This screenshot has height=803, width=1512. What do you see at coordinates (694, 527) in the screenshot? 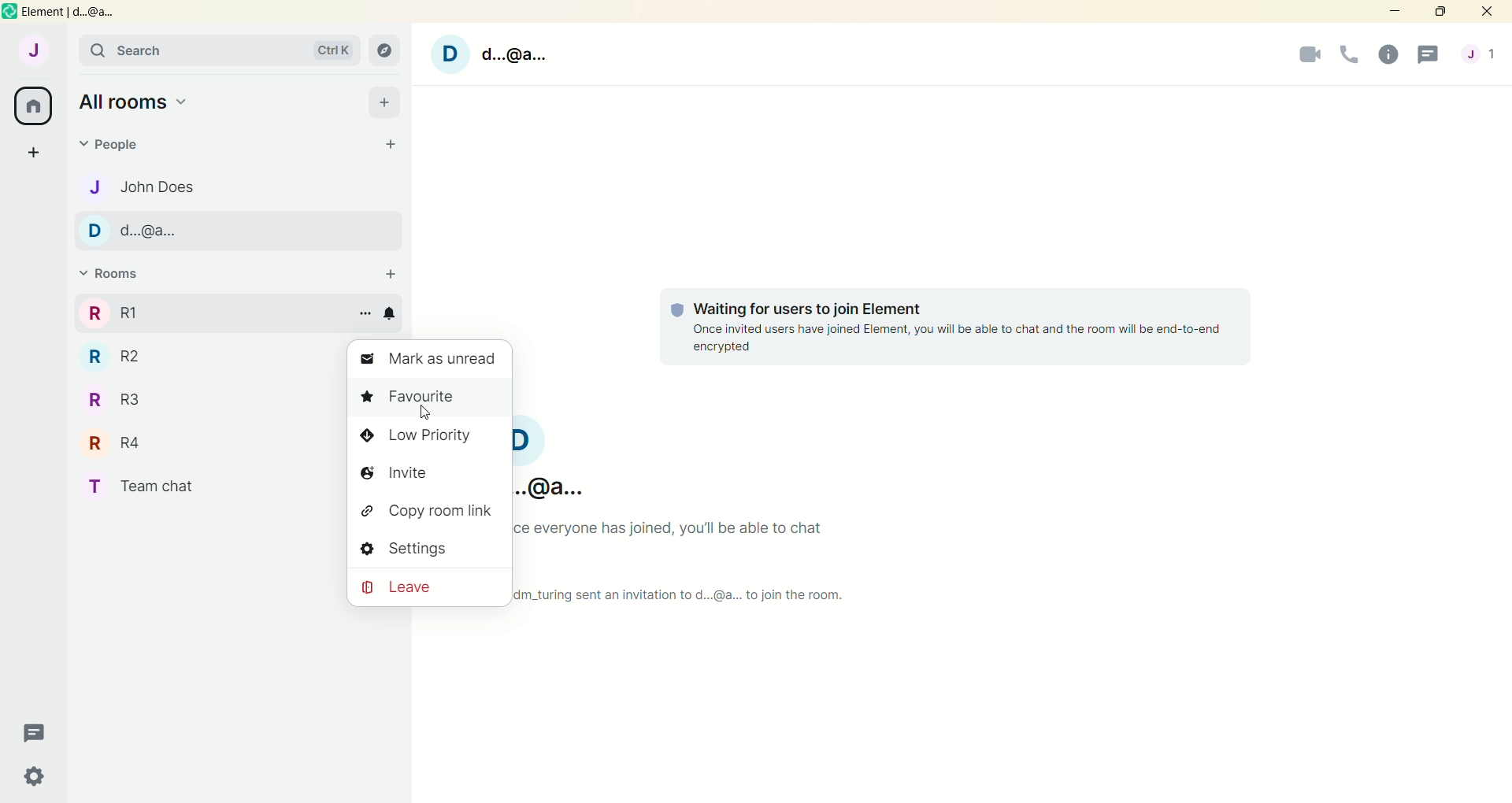
I see `ce everyone has joined, you'll be able to chat` at bounding box center [694, 527].